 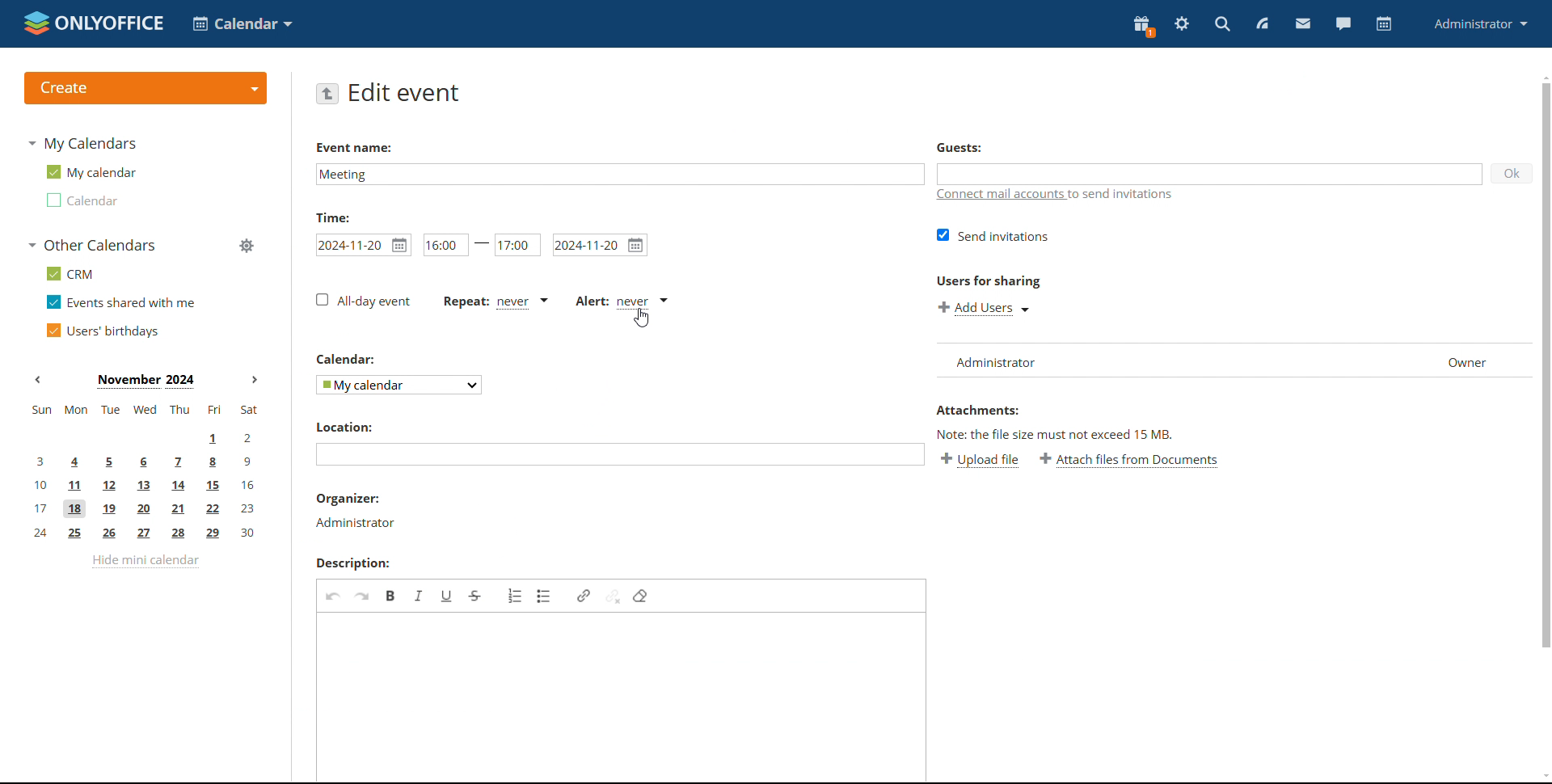 I want to click on add event description, so click(x=624, y=697).